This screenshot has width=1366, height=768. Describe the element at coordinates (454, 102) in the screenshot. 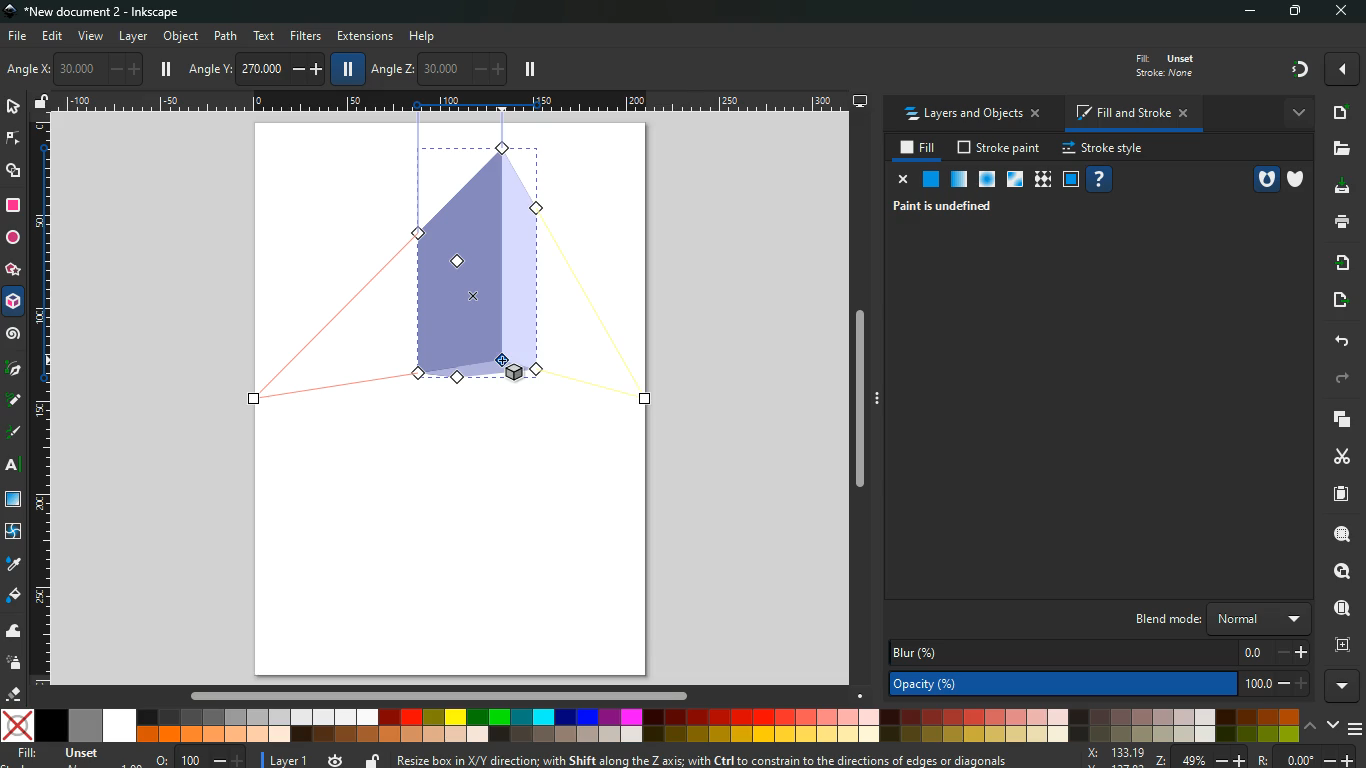

I see `Ruler` at that location.